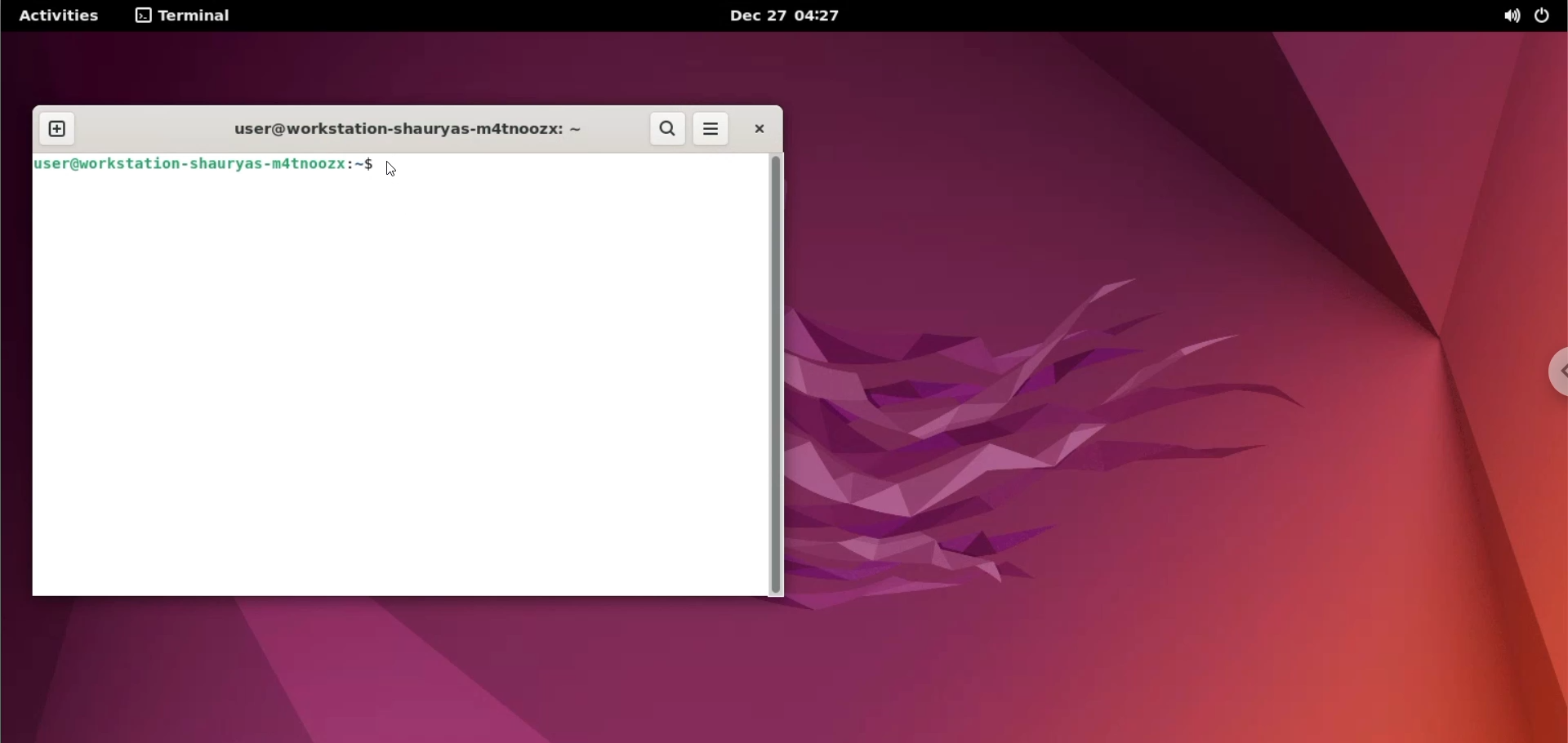 This screenshot has height=743, width=1568. Describe the element at coordinates (60, 15) in the screenshot. I see `Activities` at that location.